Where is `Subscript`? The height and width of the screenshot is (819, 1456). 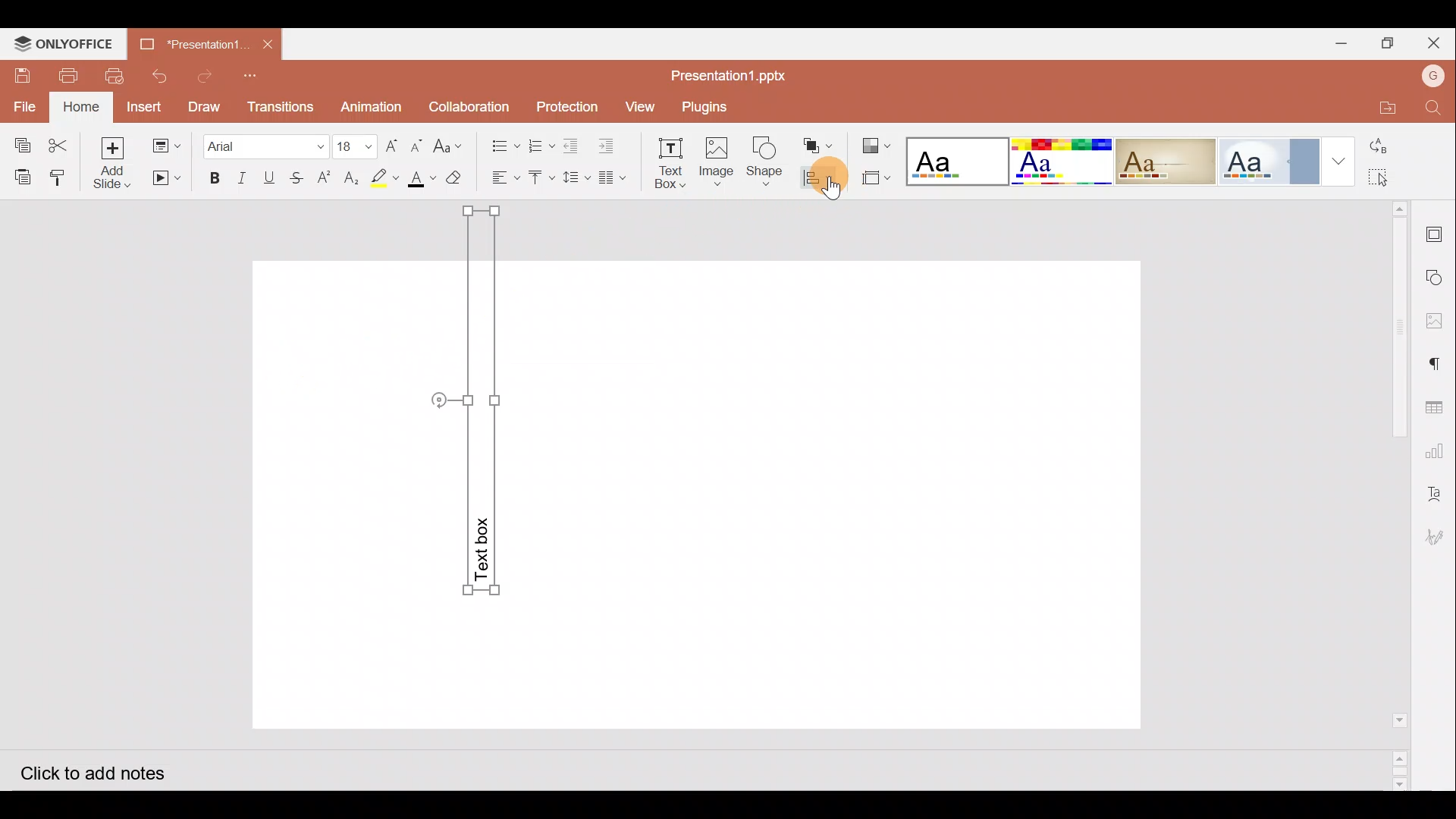 Subscript is located at coordinates (352, 180).